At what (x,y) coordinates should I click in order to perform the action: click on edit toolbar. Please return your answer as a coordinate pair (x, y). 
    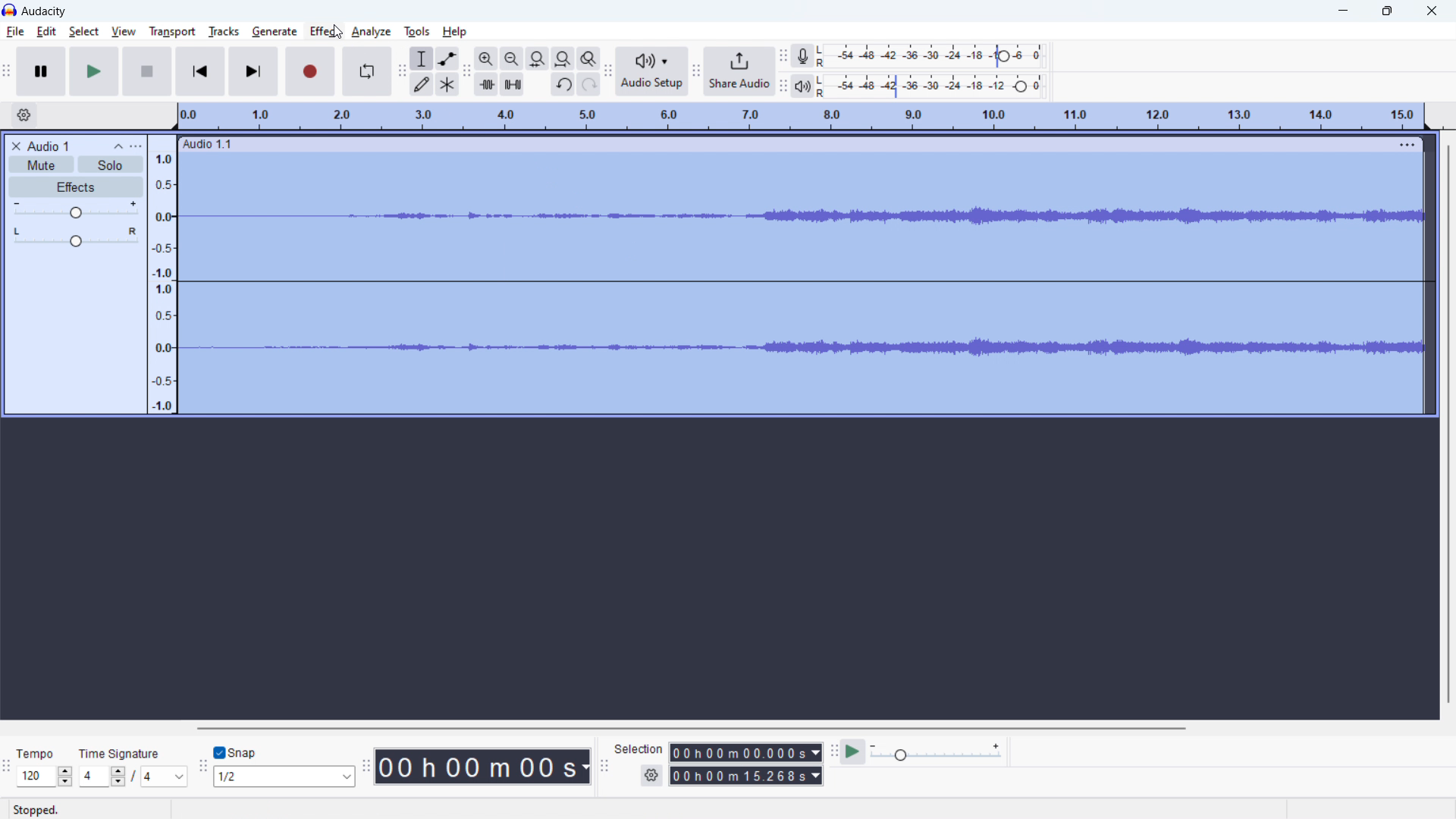
    Looking at the image, I should click on (466, 71).